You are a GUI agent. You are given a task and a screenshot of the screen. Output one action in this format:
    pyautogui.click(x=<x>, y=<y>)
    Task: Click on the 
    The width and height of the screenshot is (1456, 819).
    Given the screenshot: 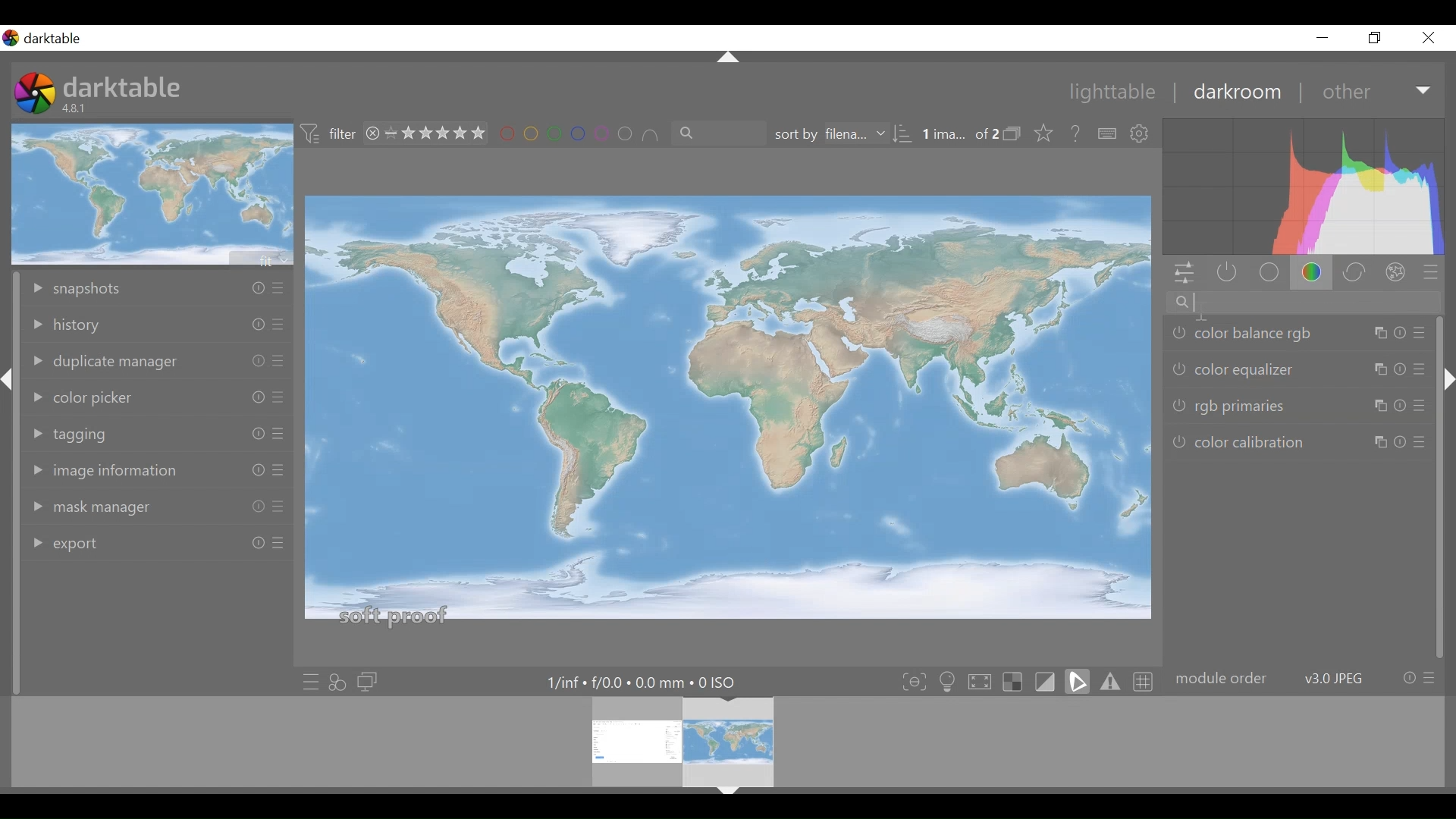 What is the action you would take?
    pyautogui.click(x=278, y=435)
    